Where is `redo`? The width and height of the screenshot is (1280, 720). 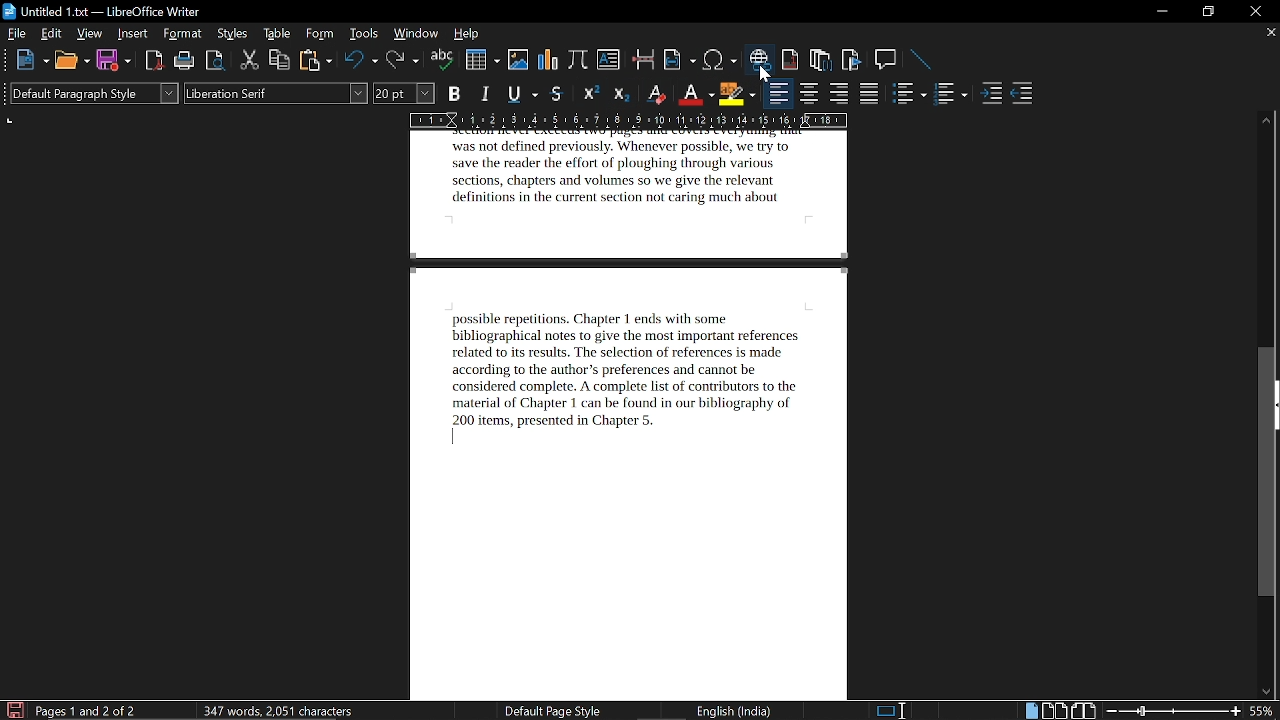
redo is located at coordinates (402, 62).